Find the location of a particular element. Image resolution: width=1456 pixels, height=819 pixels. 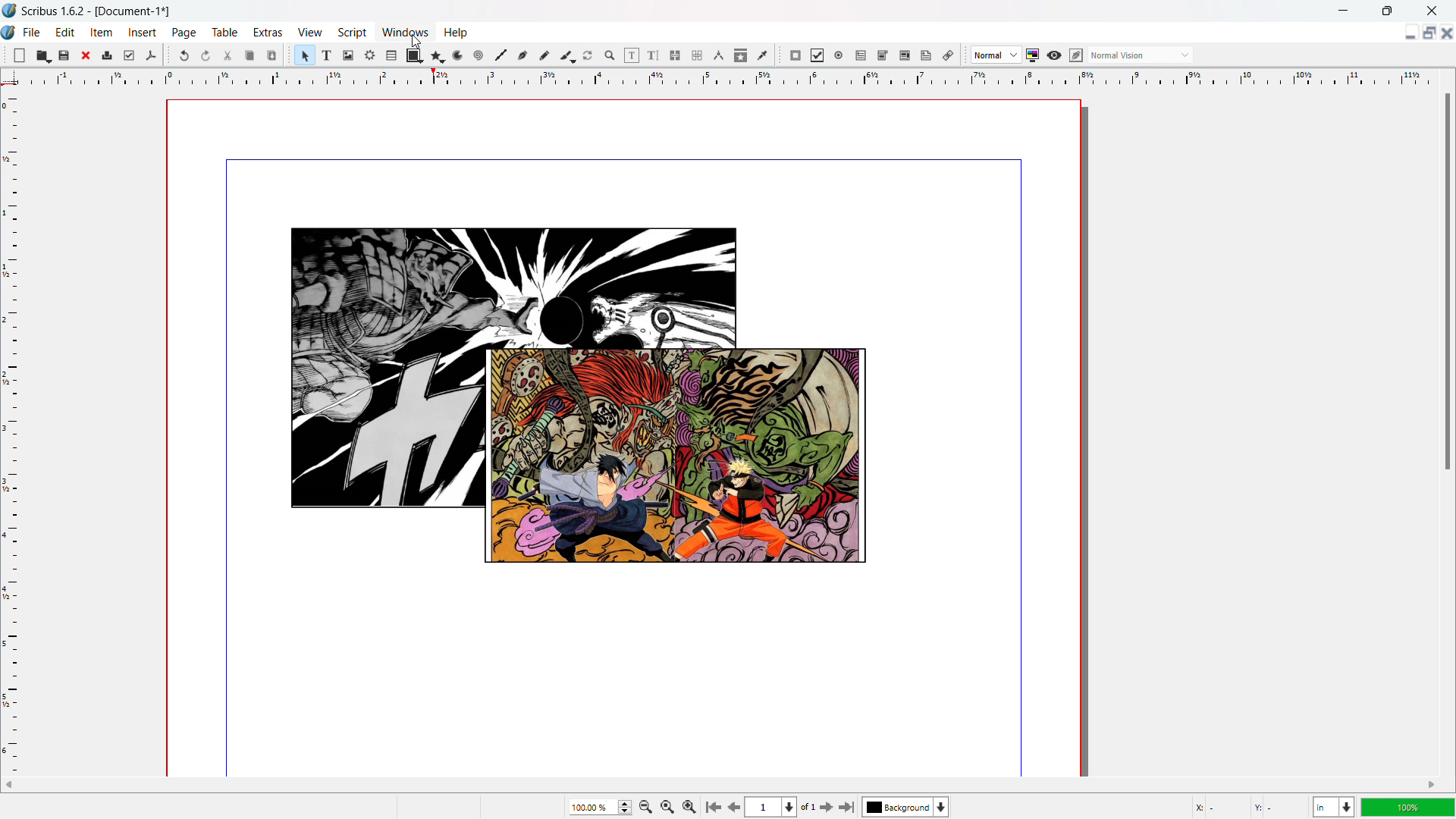

Scribus 1.6.2-[Document-1] is located at coordinates (102, 10).